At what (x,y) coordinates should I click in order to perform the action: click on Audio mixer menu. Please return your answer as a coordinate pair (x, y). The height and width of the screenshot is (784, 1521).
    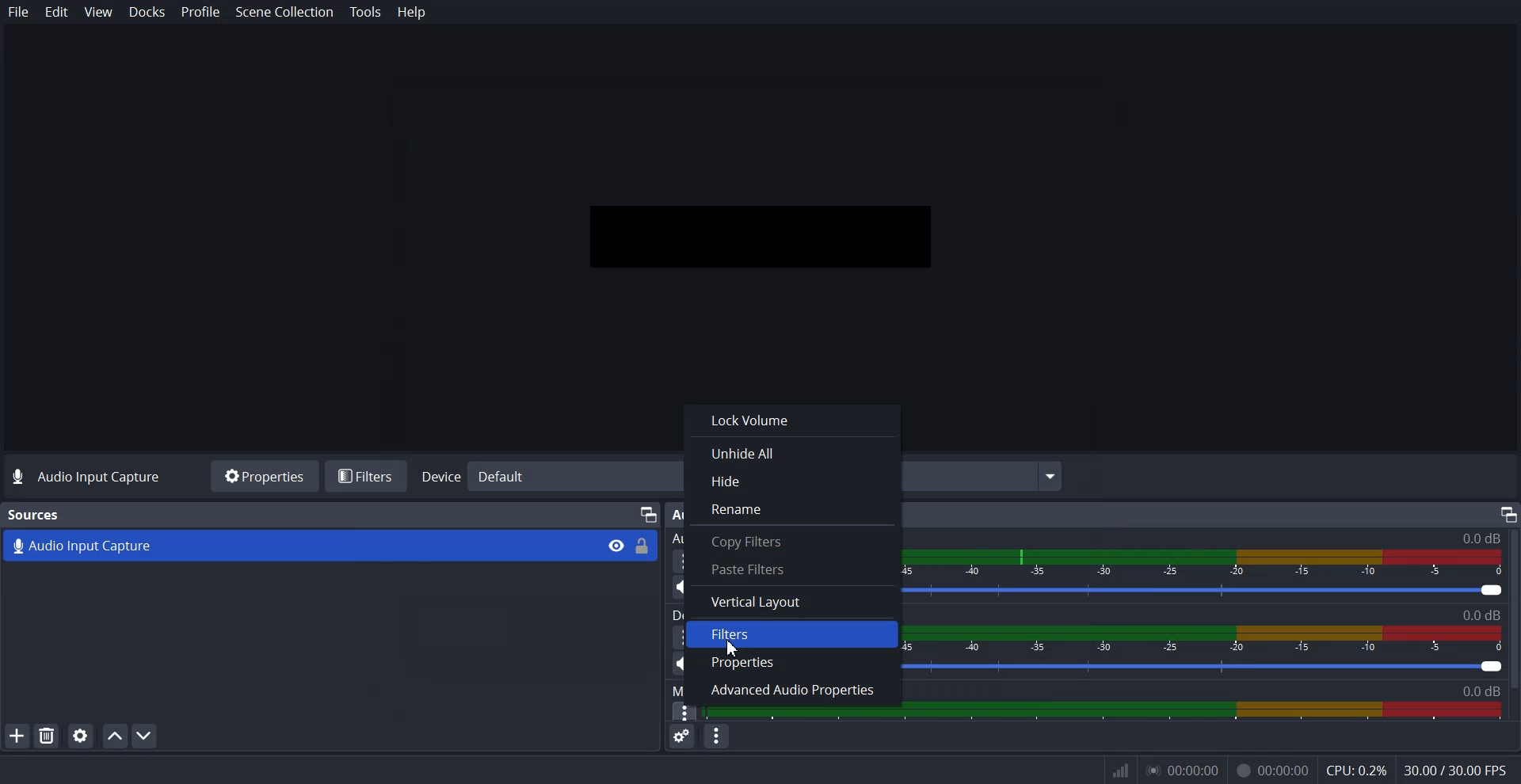
    Looking at the image, I should click on (716, 738).